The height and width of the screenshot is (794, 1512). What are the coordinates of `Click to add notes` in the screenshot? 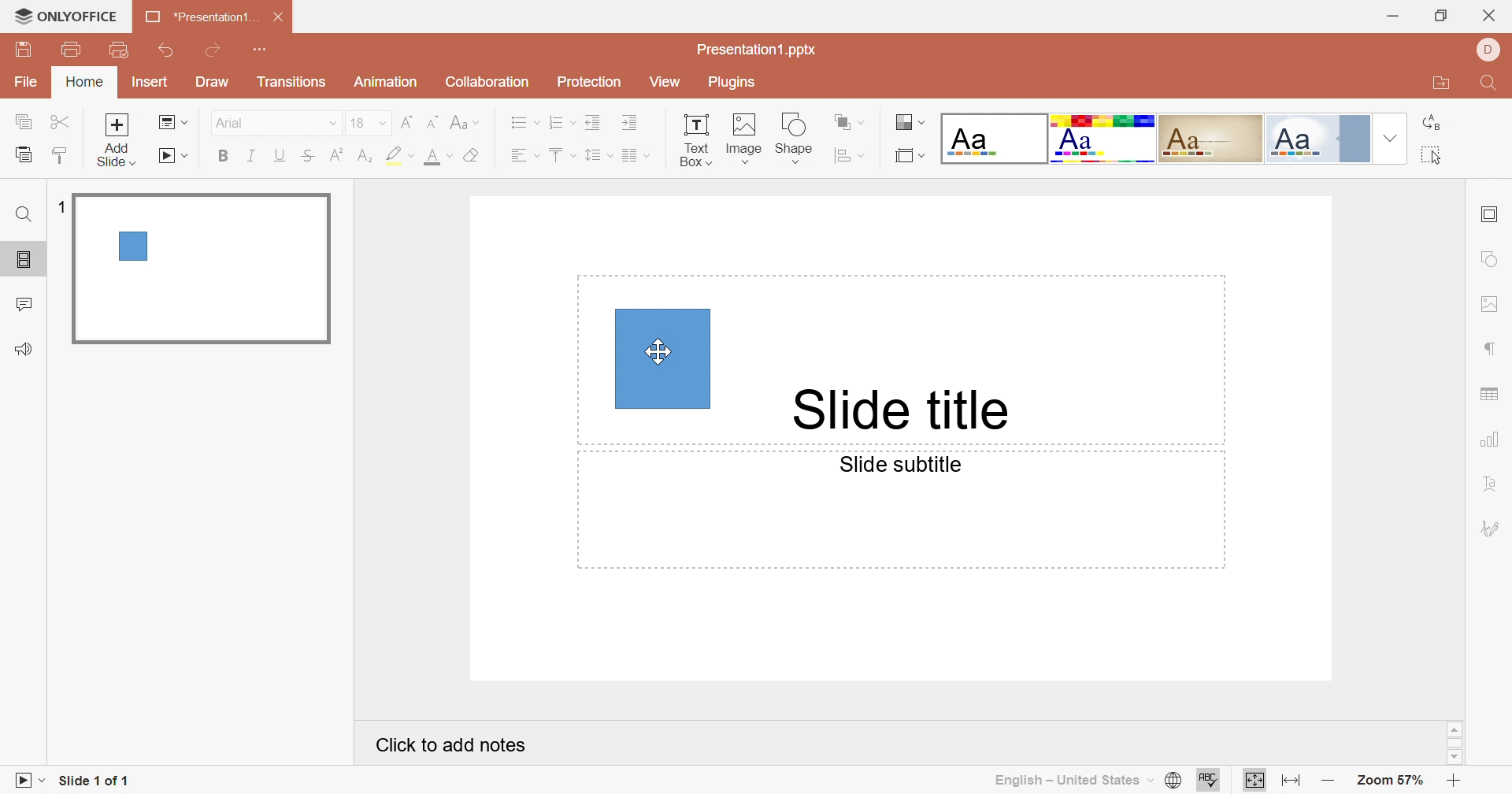 It's located at (452, 748).